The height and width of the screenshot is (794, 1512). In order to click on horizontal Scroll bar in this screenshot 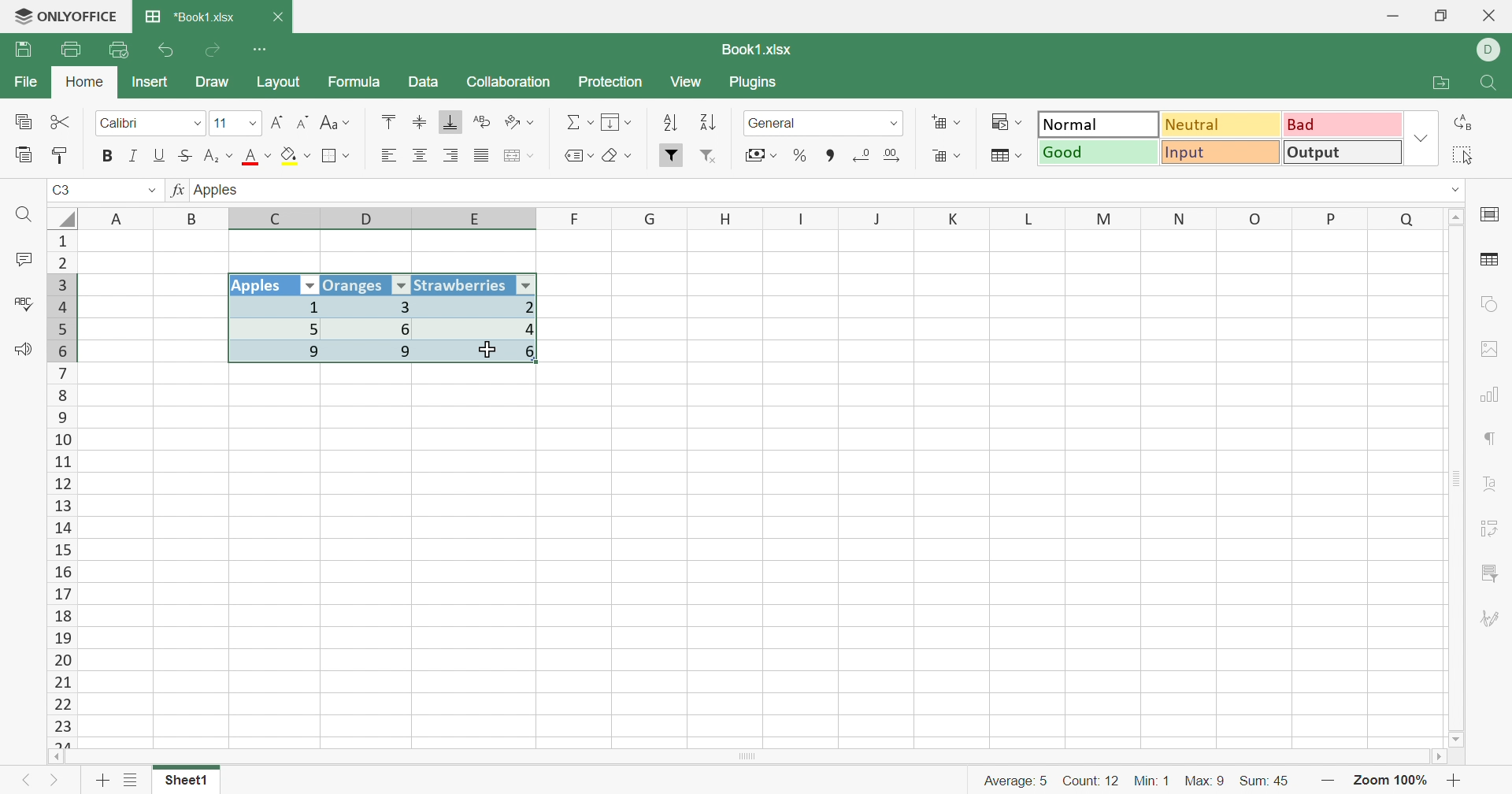, I will do `click(752, 755)`.